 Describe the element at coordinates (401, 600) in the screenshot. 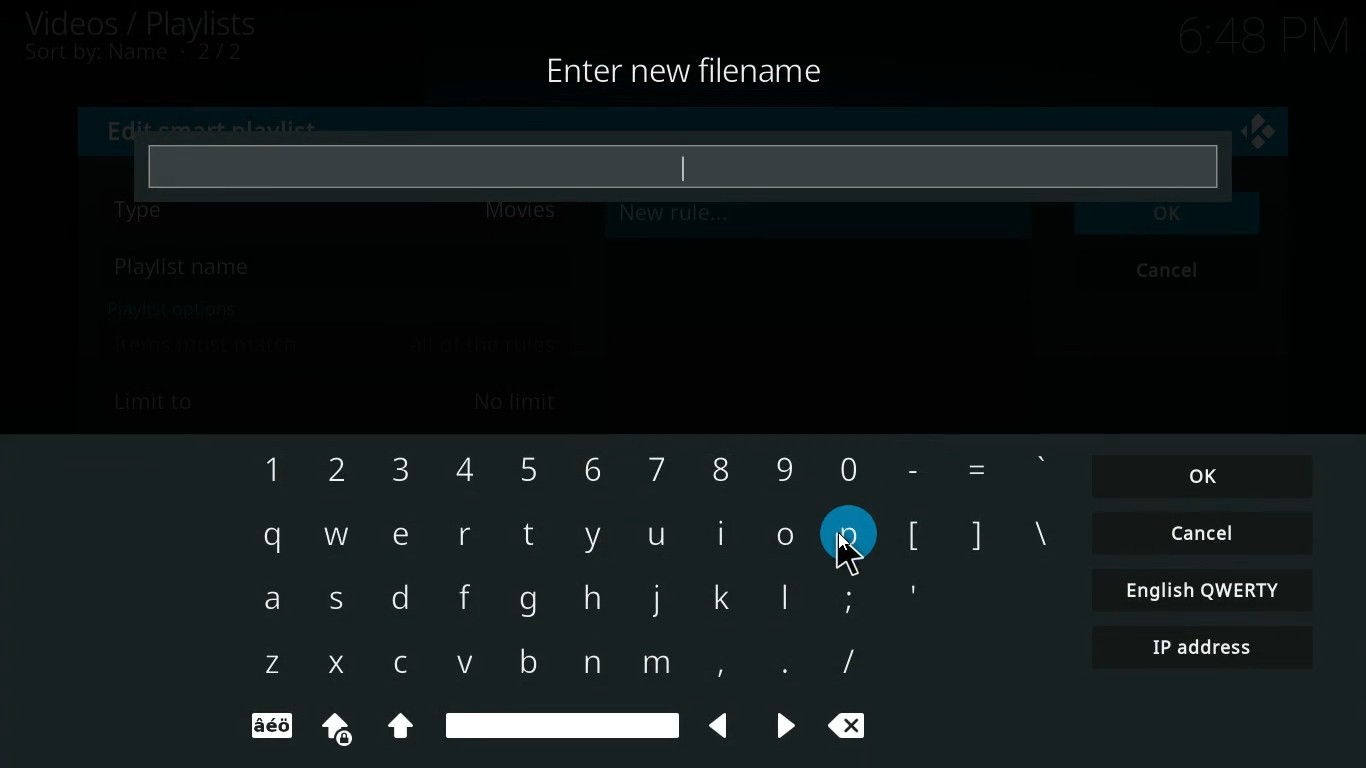

I see `d` at that location.